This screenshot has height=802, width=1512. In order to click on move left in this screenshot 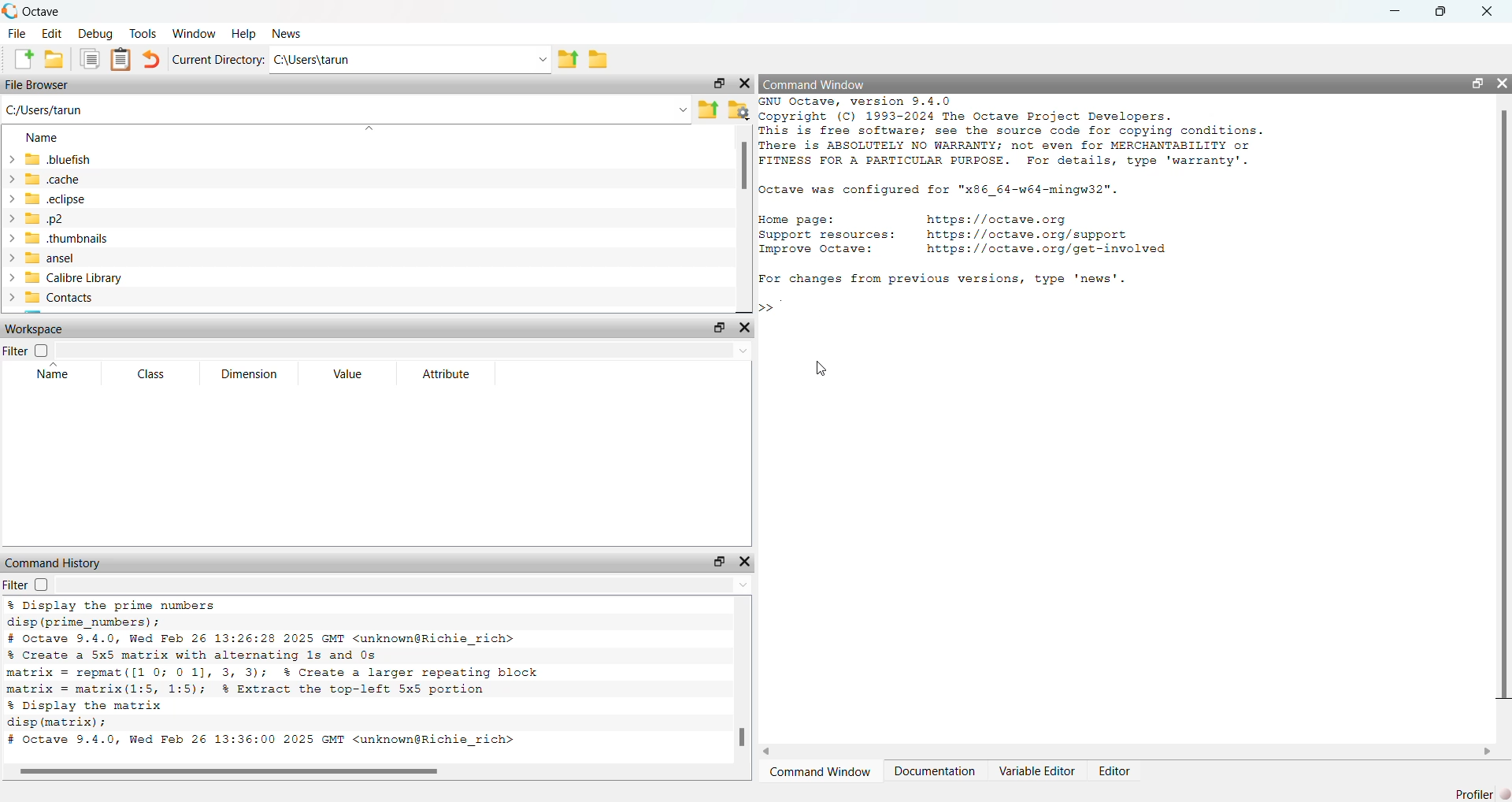, I will do `click(773, 750)`.